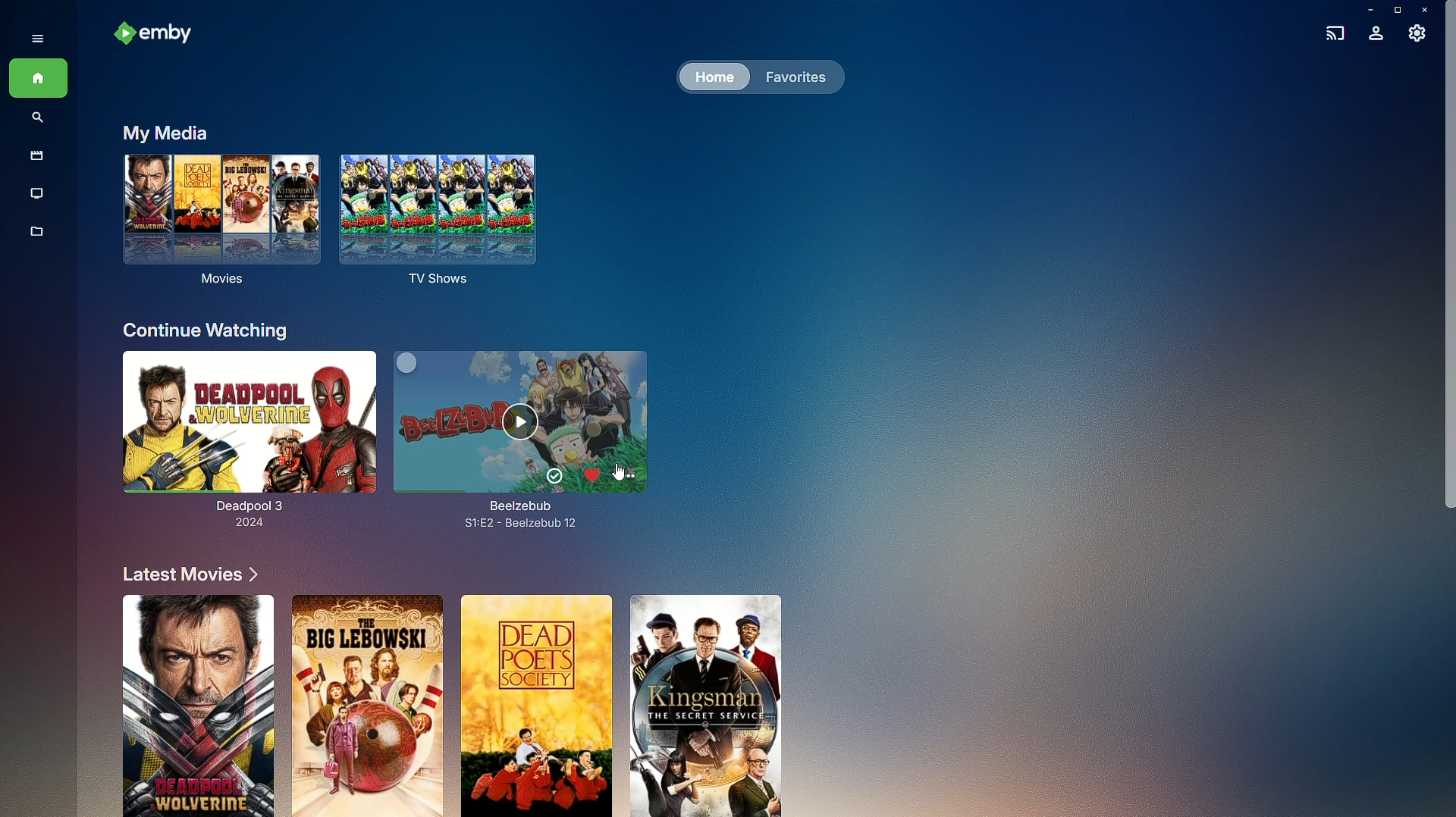 This screenshot has width=1456, height=817. Describe the element at coordinates (241, 443) in the screenshot. I see `Deadpool 3` at that location.